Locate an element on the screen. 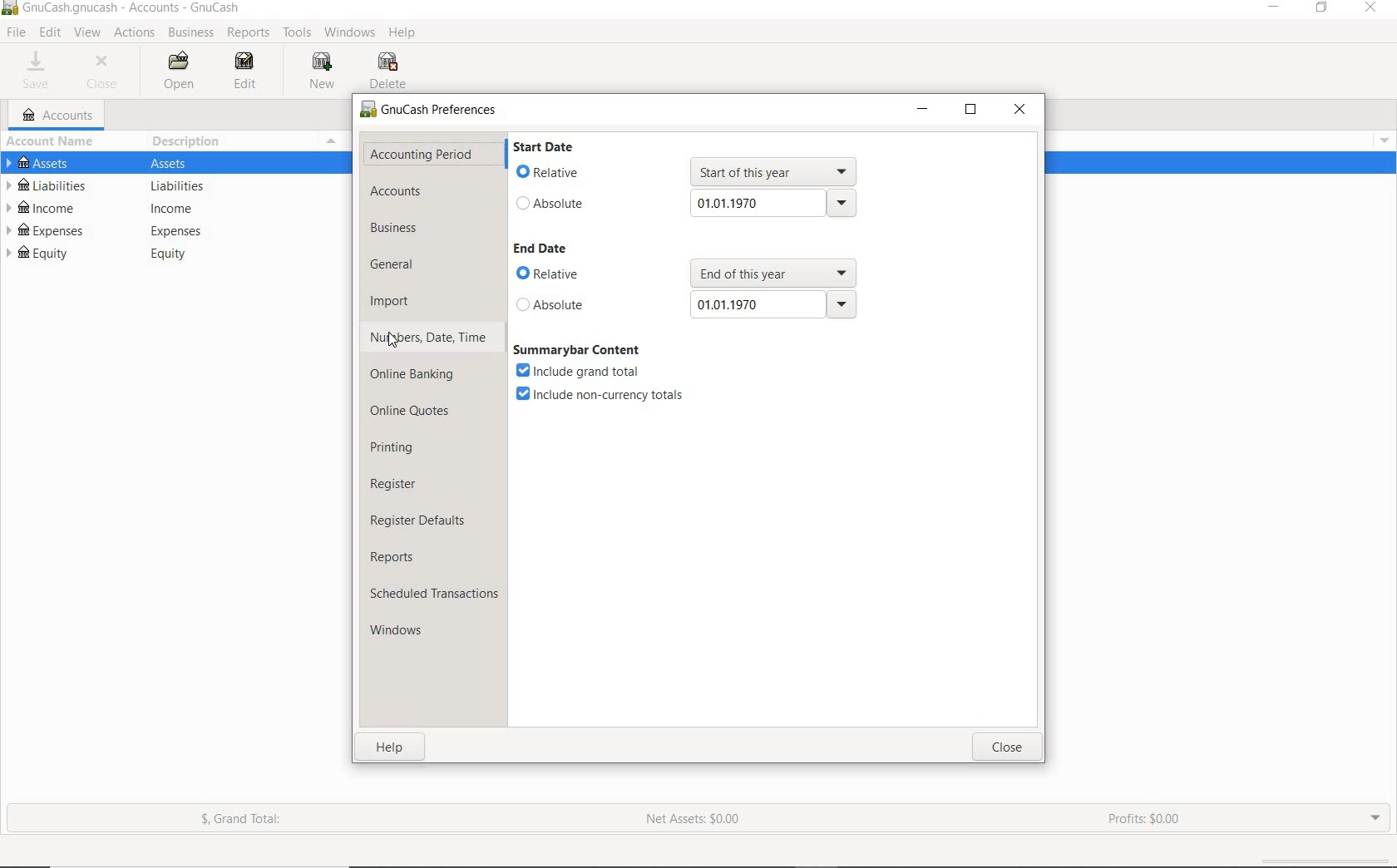 The height and width of the screenshot is (868, 1397). import is located at coordinates (391, 303).